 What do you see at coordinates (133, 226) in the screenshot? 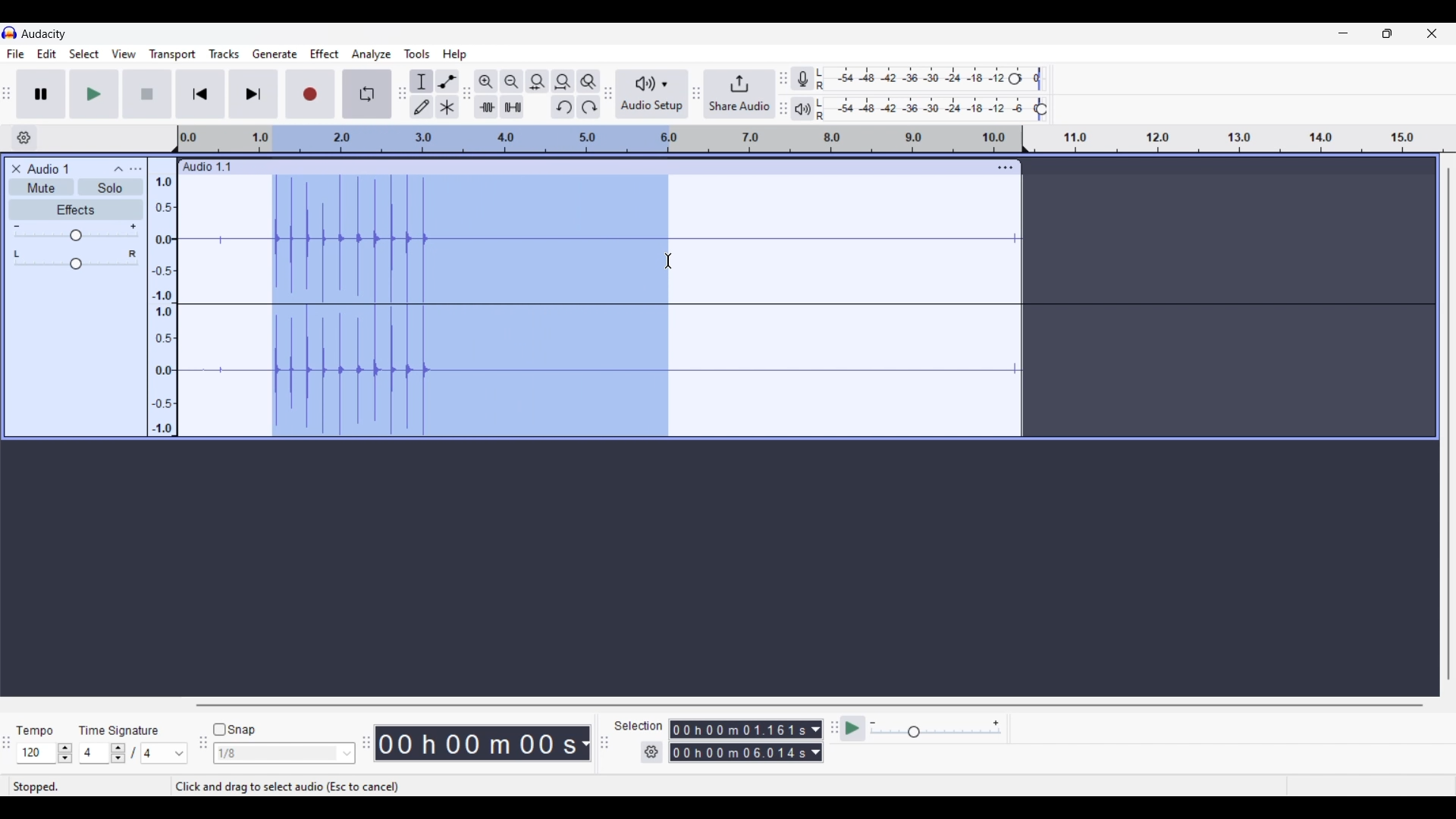
I see `Maximum gain` at bounding box center [133, 226].